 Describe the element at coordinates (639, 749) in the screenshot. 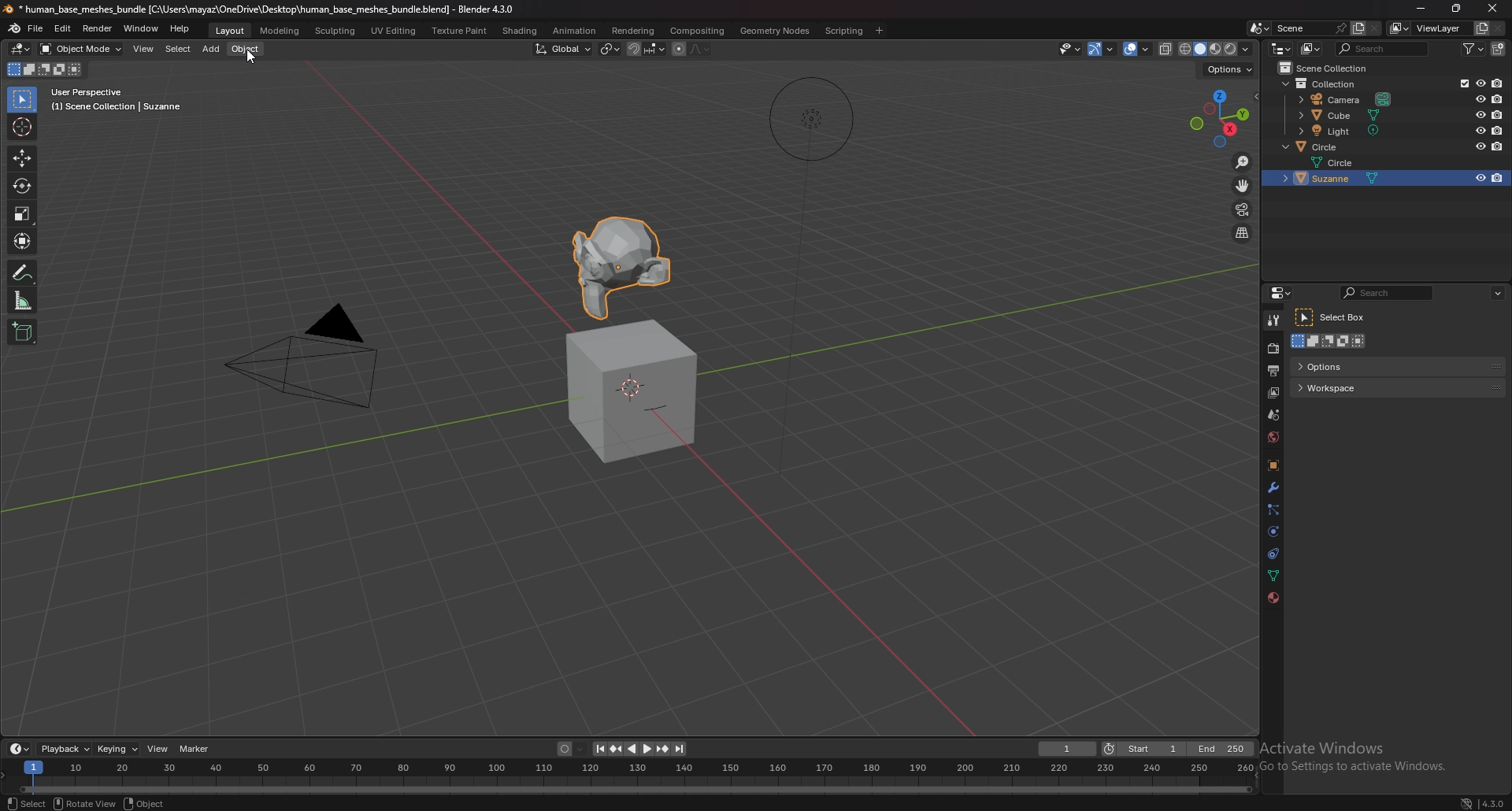

I see `play animation` at that location.